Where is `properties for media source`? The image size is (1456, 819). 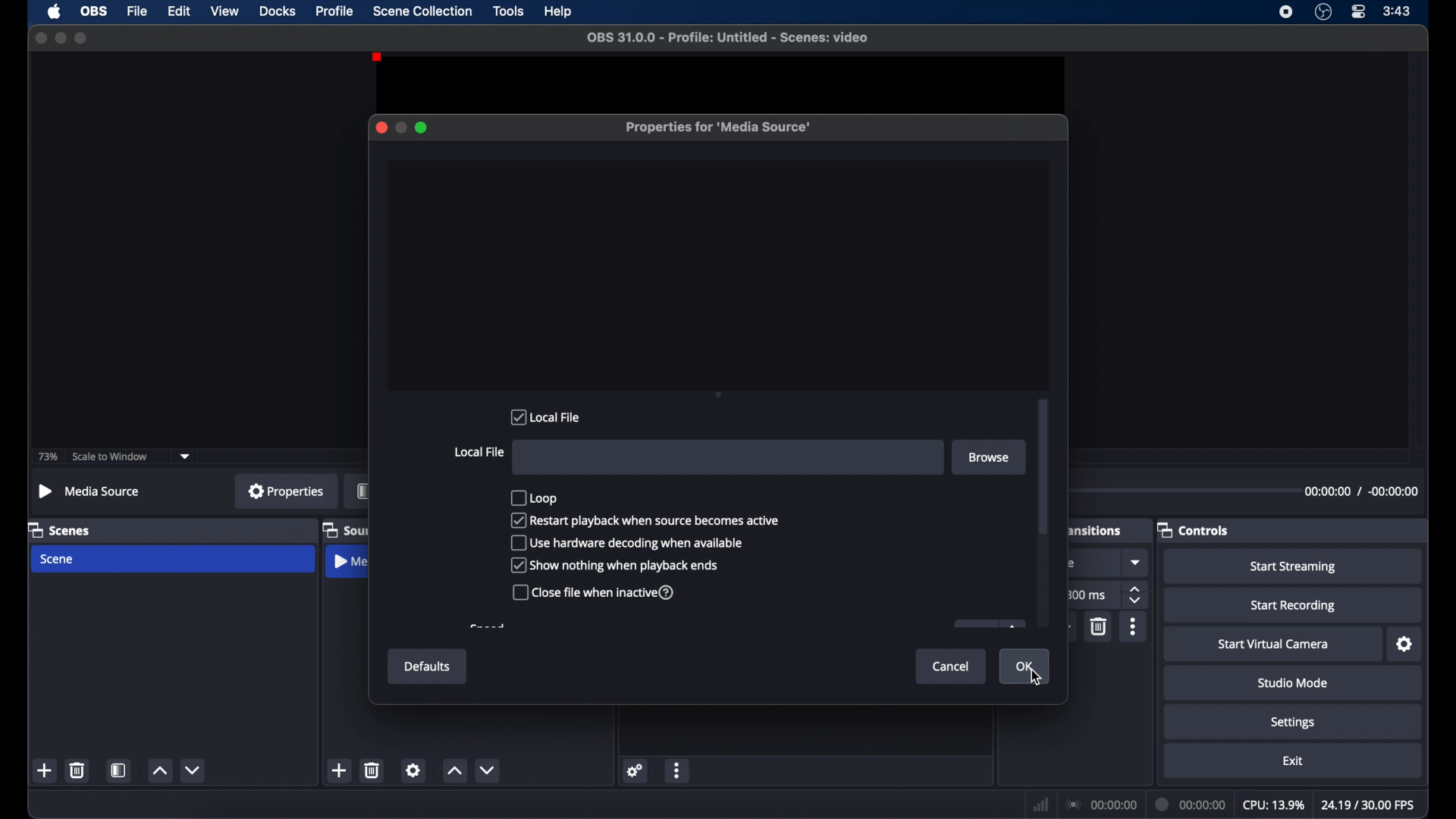 properties for media source is located at coordinates (720, 128).